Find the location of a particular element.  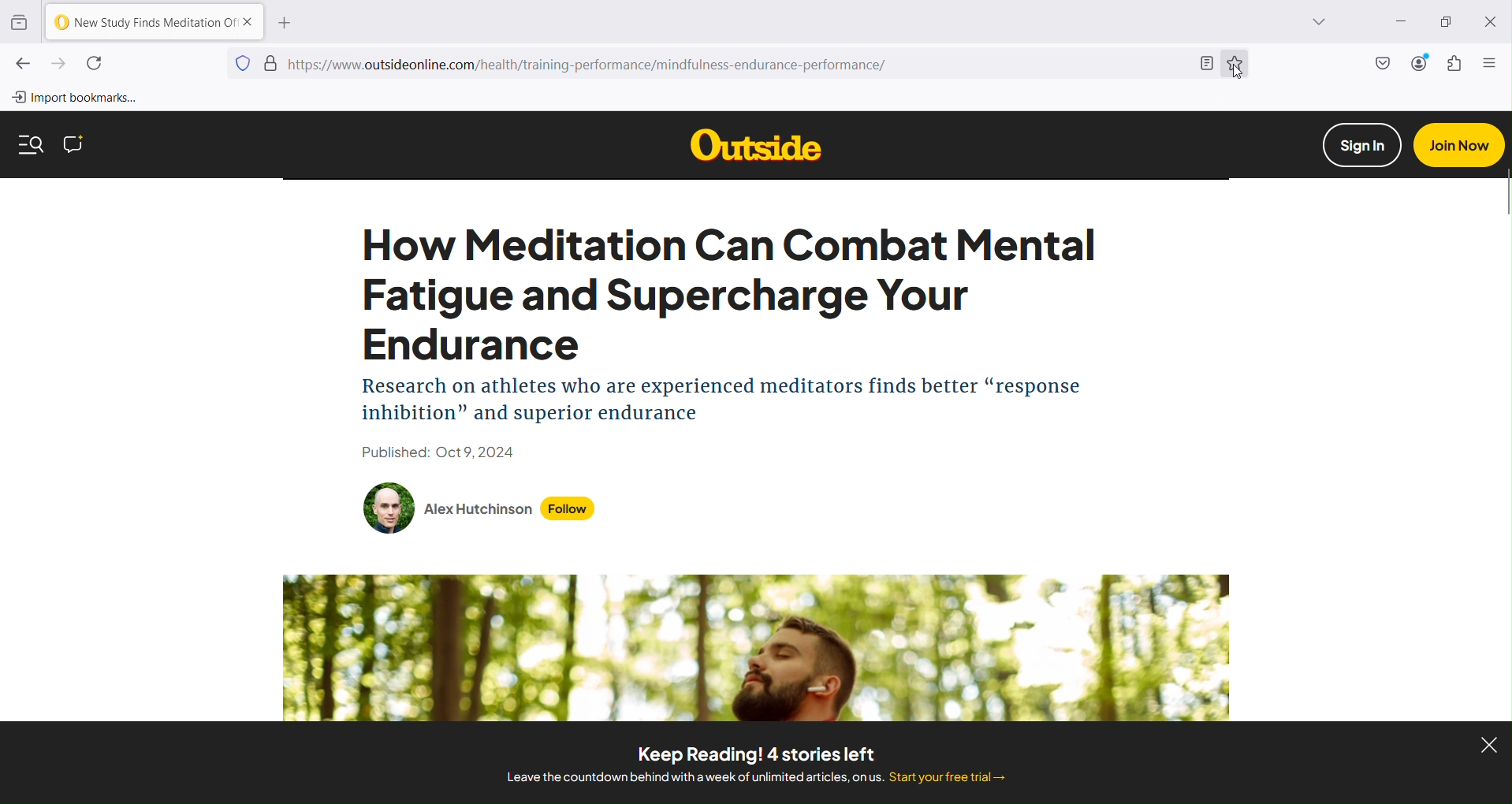

Current Tab is located at coordinates (154, 22).